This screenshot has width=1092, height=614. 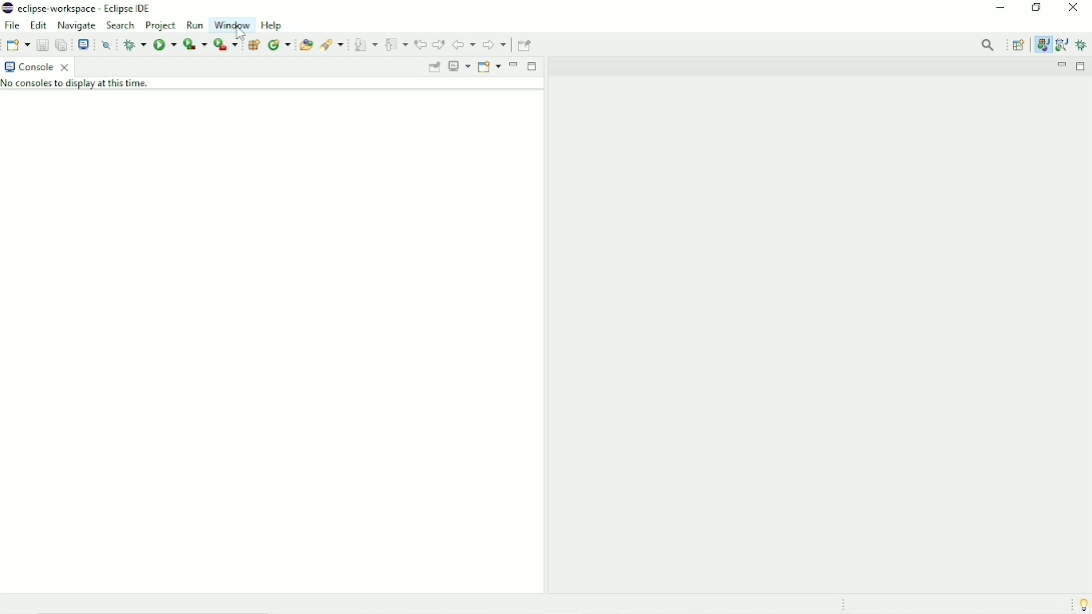 I want to click on Pin Console, so click(x=433, y=68).